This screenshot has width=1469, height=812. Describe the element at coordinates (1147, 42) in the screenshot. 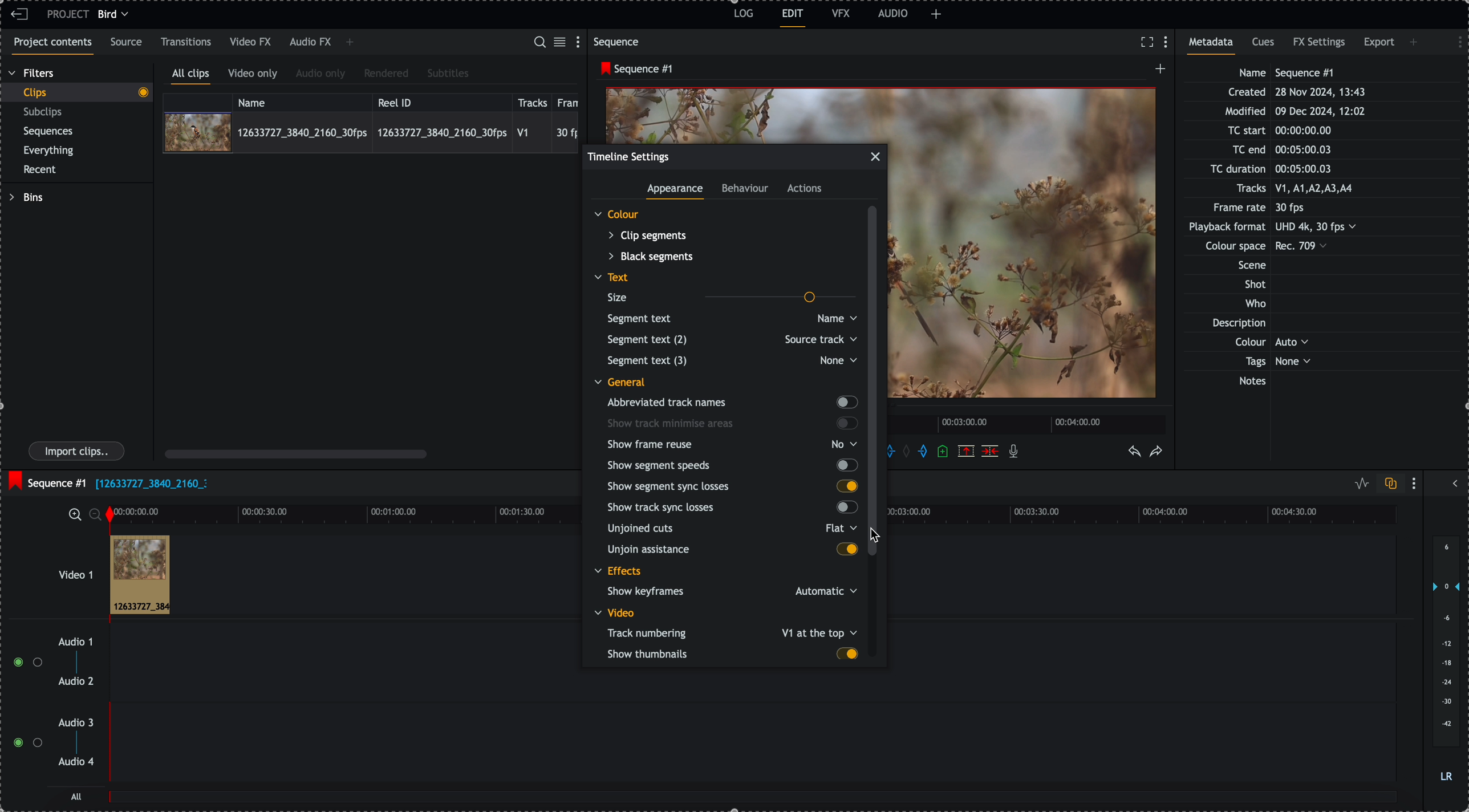

I see `fullscreen` at that location.